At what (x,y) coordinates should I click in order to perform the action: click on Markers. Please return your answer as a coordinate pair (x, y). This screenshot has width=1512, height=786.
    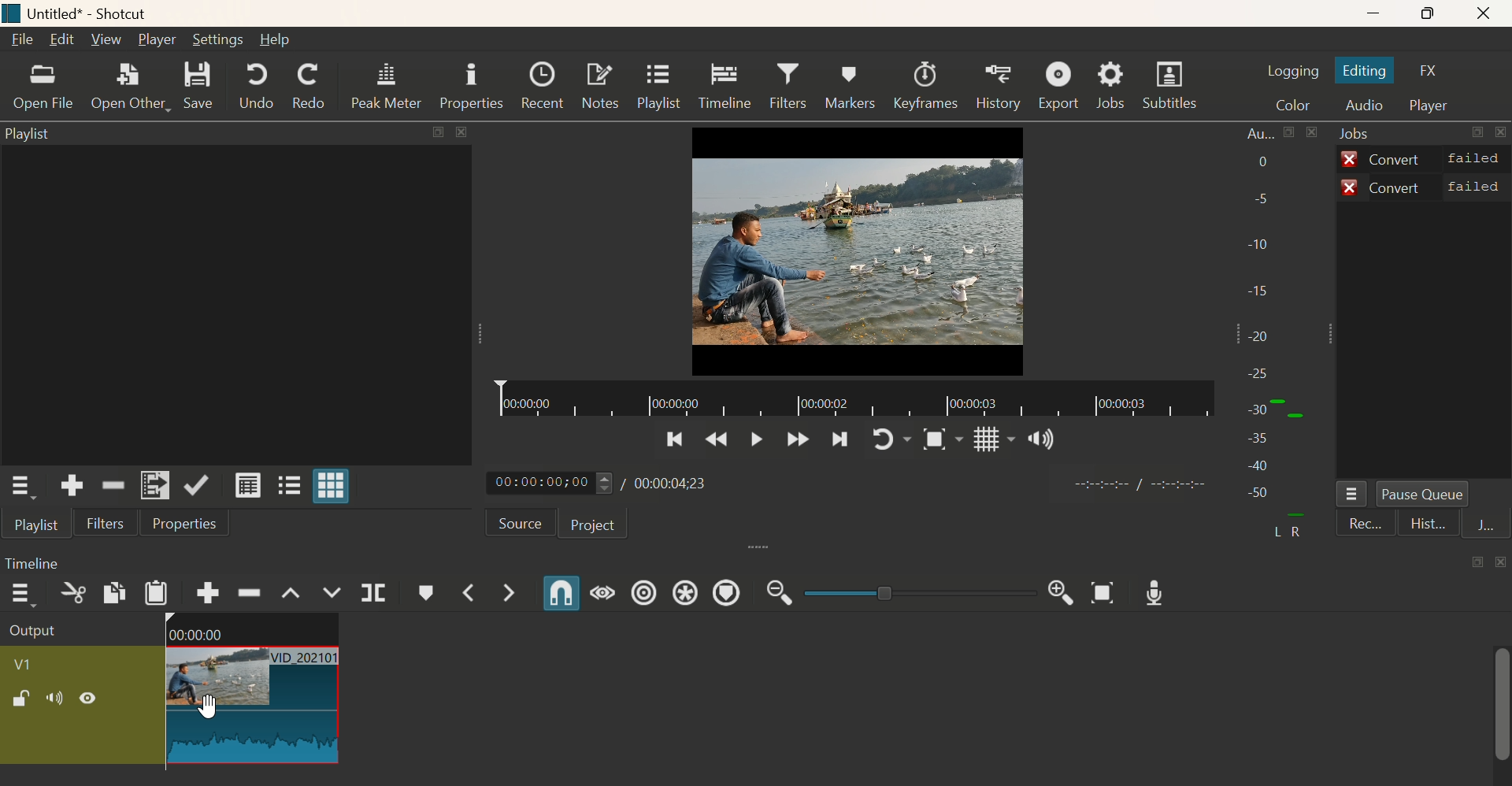
    Looking at the image, I should click on (849, 85).